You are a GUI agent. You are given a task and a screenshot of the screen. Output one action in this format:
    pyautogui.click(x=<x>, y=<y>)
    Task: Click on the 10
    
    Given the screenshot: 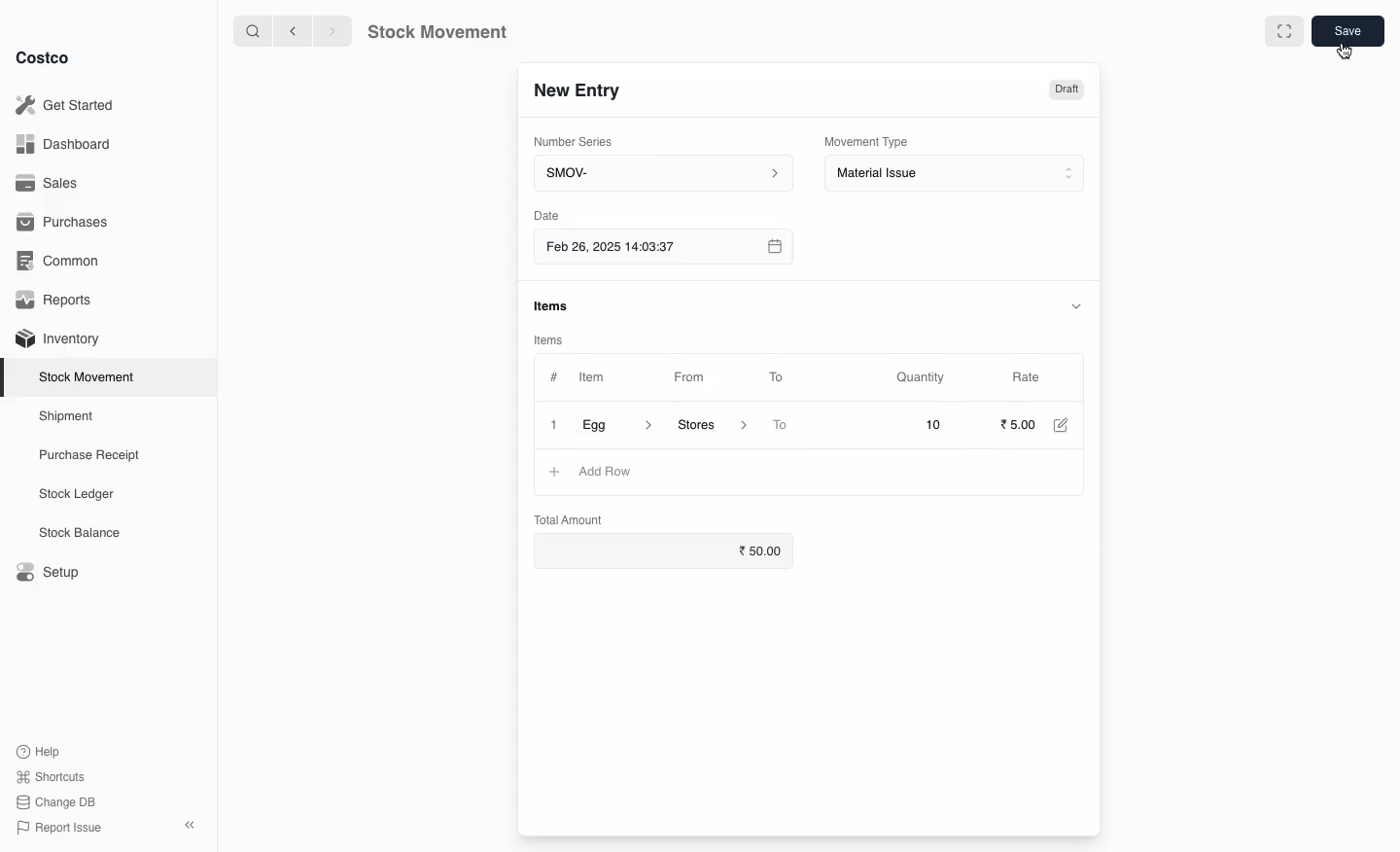 What is the action you would take?
    pyautogui.click(x=908, y=424)
    